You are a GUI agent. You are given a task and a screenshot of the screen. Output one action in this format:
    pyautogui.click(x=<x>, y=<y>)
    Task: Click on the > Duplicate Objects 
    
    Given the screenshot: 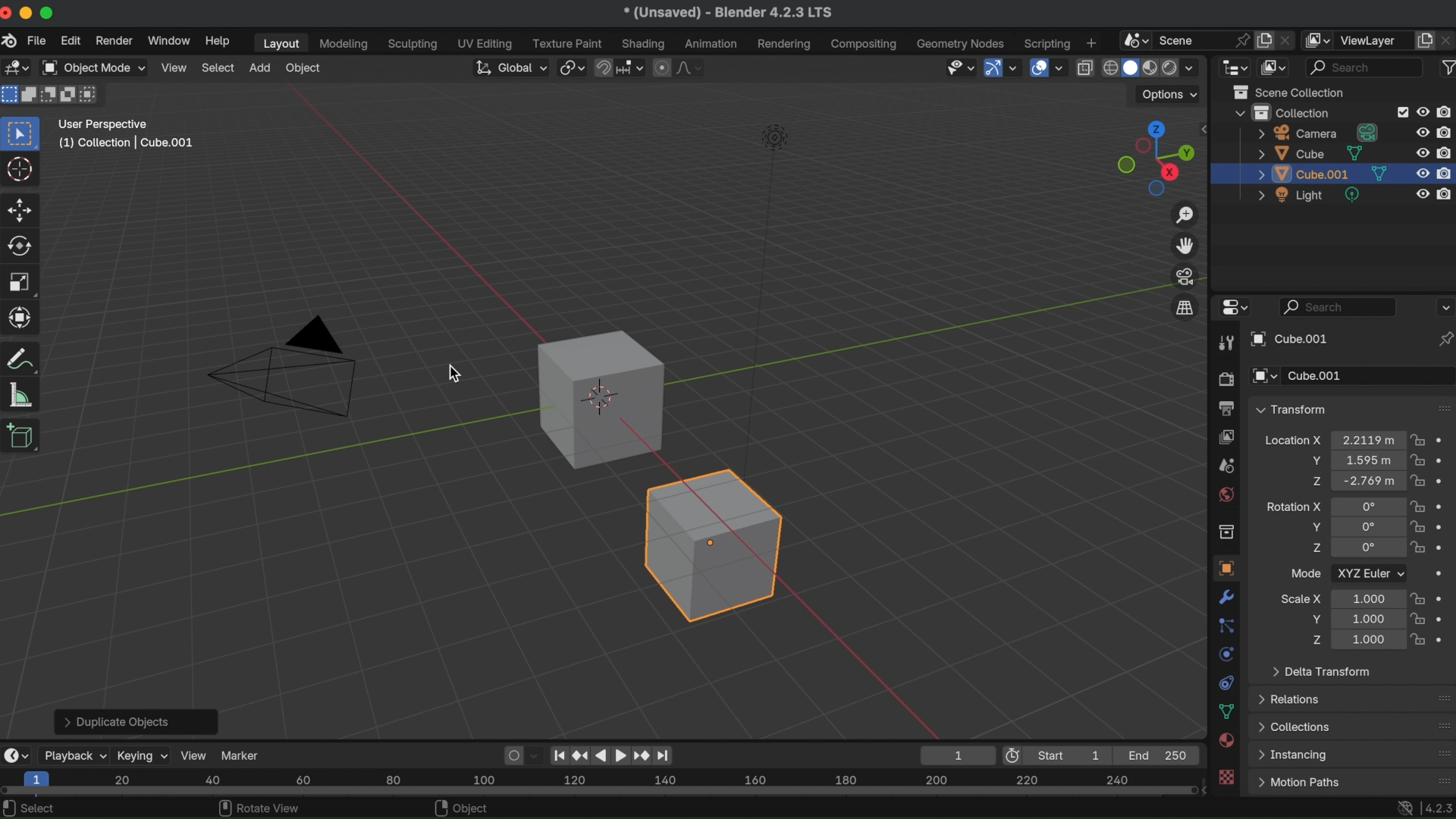 What is the action you would take?
    pyautogui.click(x=139, y=722)
    